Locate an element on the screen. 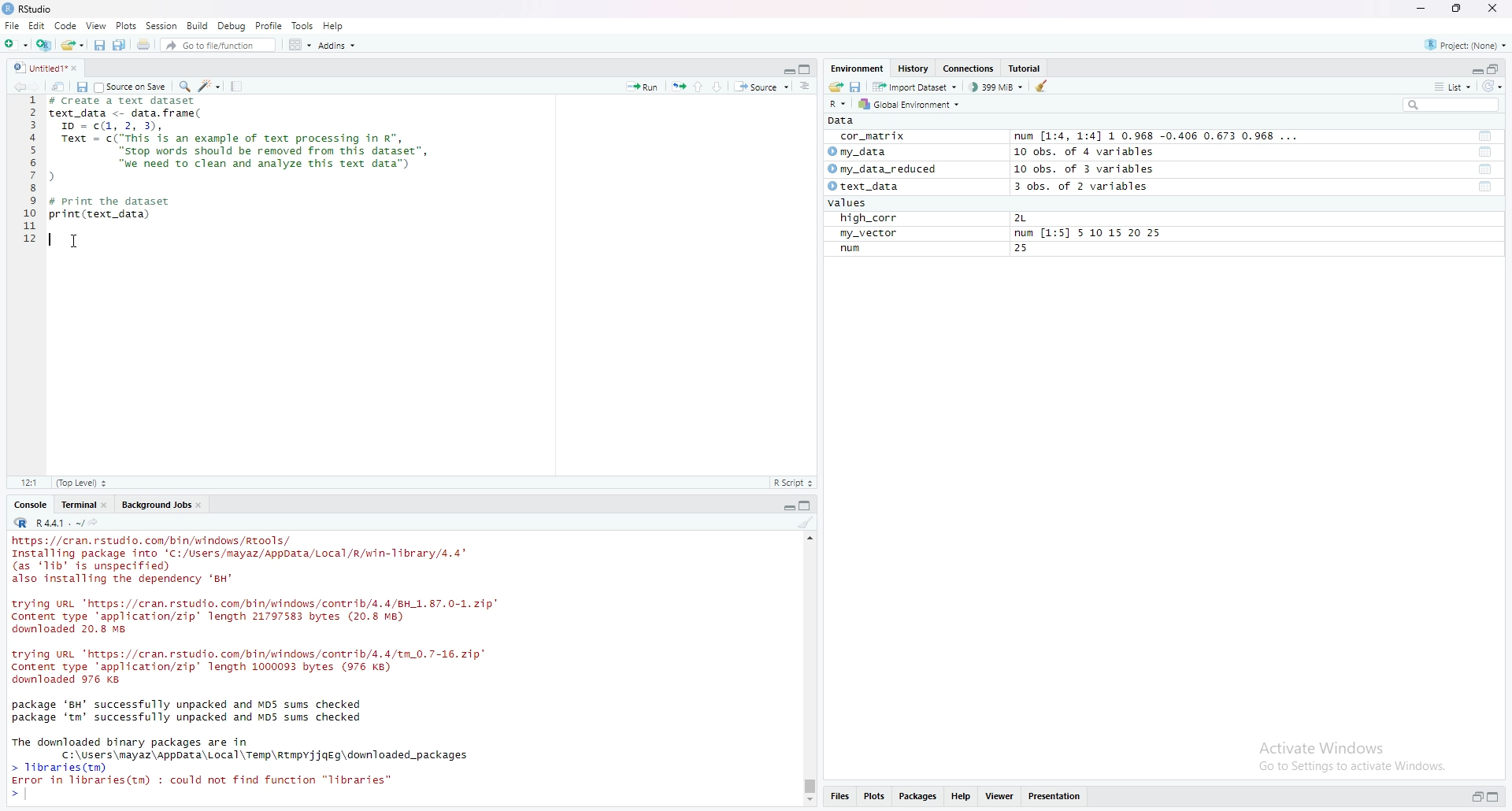 The image size is (1512, 811). cor_matrix is located at coordinates (872, 136).